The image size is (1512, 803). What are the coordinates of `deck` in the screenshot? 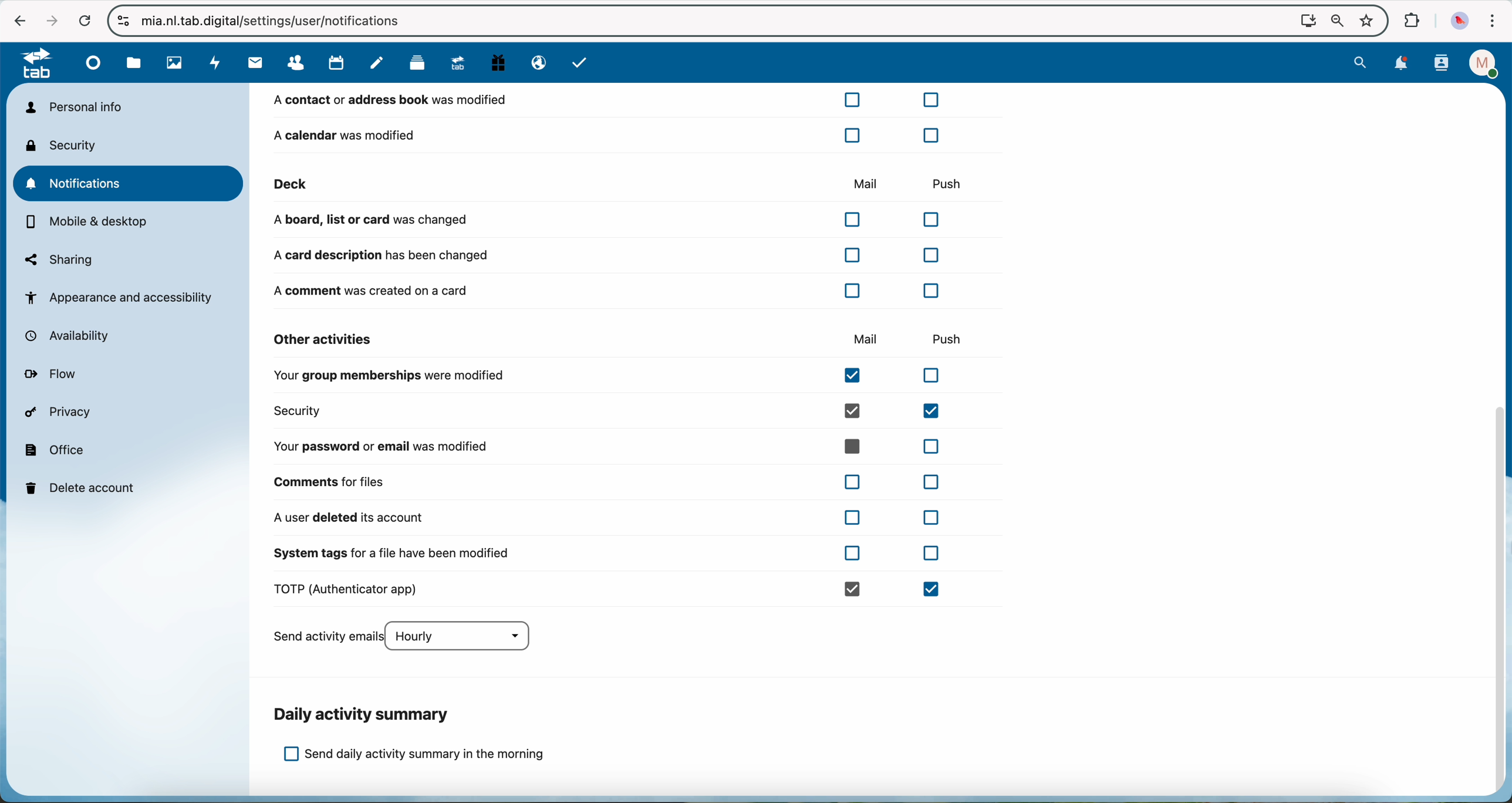 It's located at (417, 66).